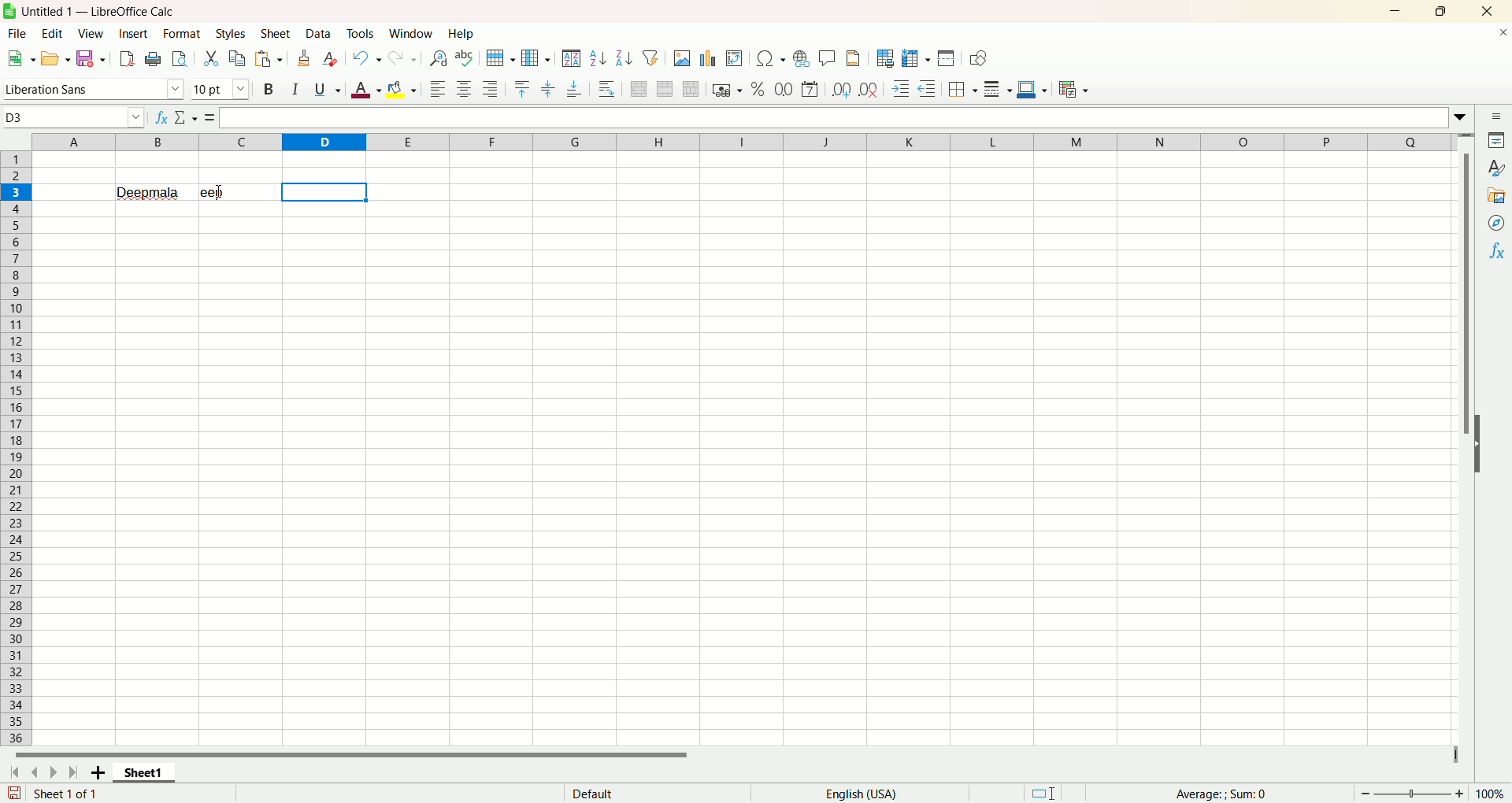  I want to click on Column, so click(744, 141).